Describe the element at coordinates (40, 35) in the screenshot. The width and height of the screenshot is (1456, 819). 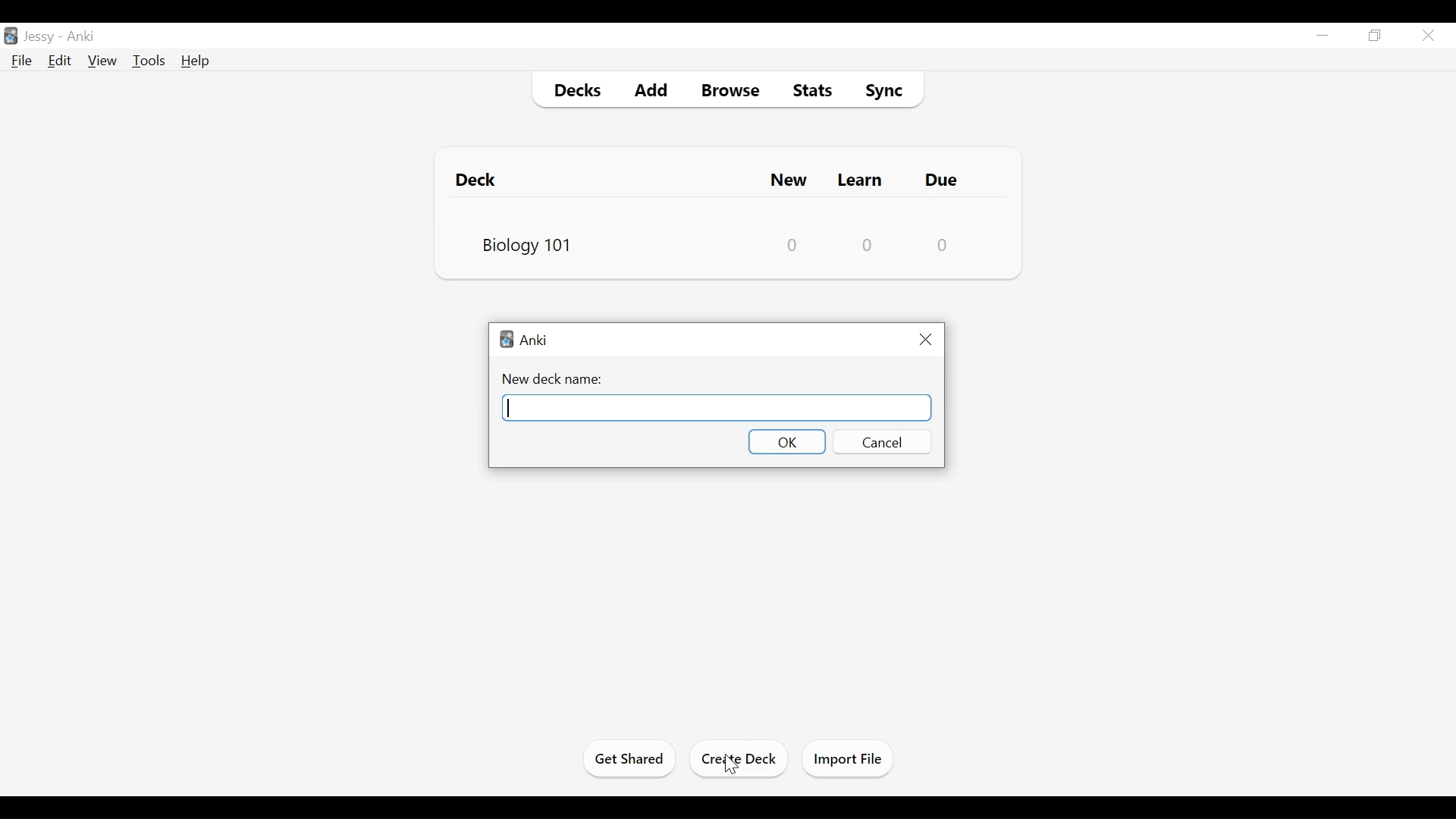
I see `Profile Name` at that location.